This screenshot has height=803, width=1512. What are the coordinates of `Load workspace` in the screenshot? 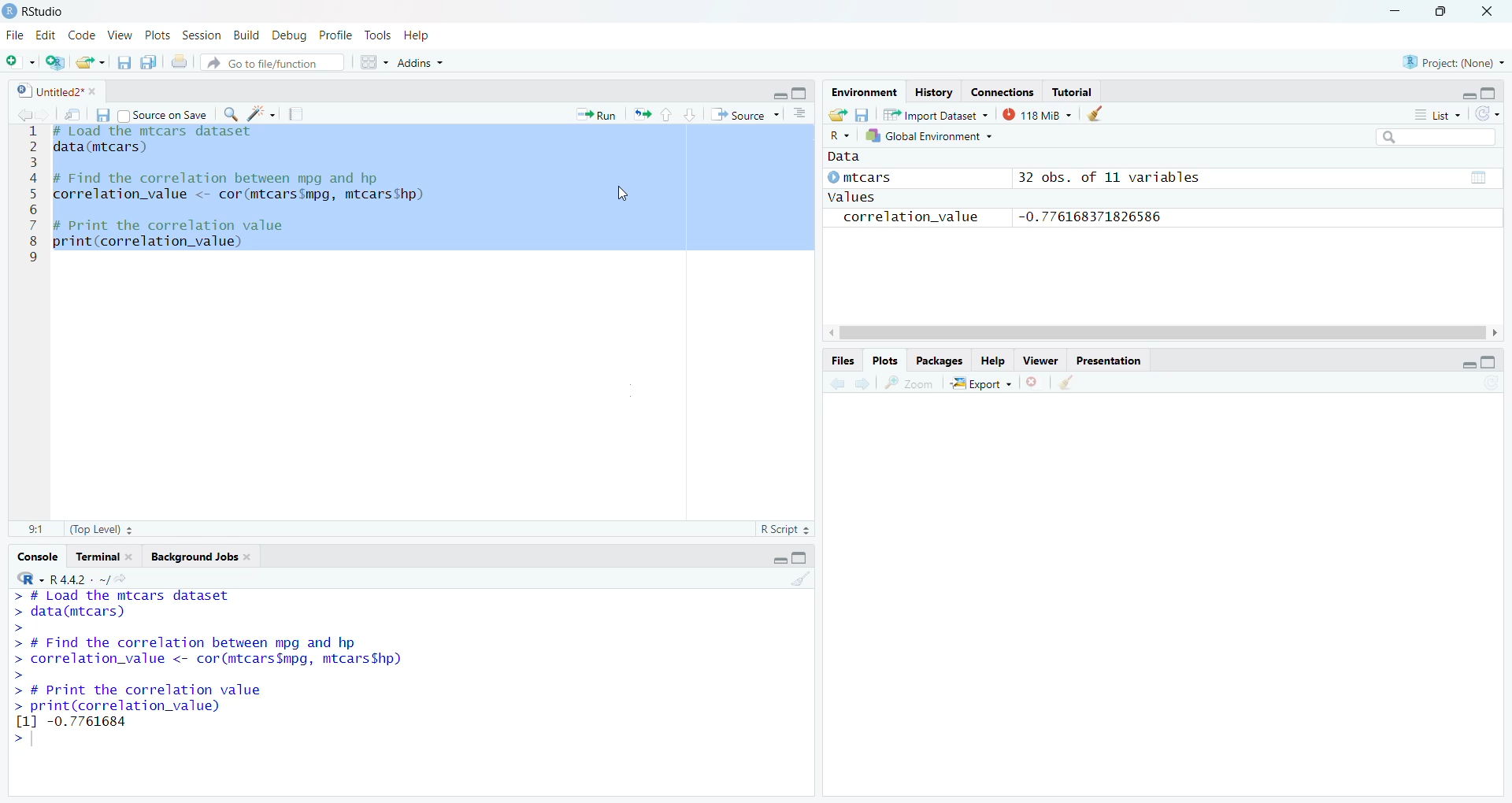 It's located at (836, 116).